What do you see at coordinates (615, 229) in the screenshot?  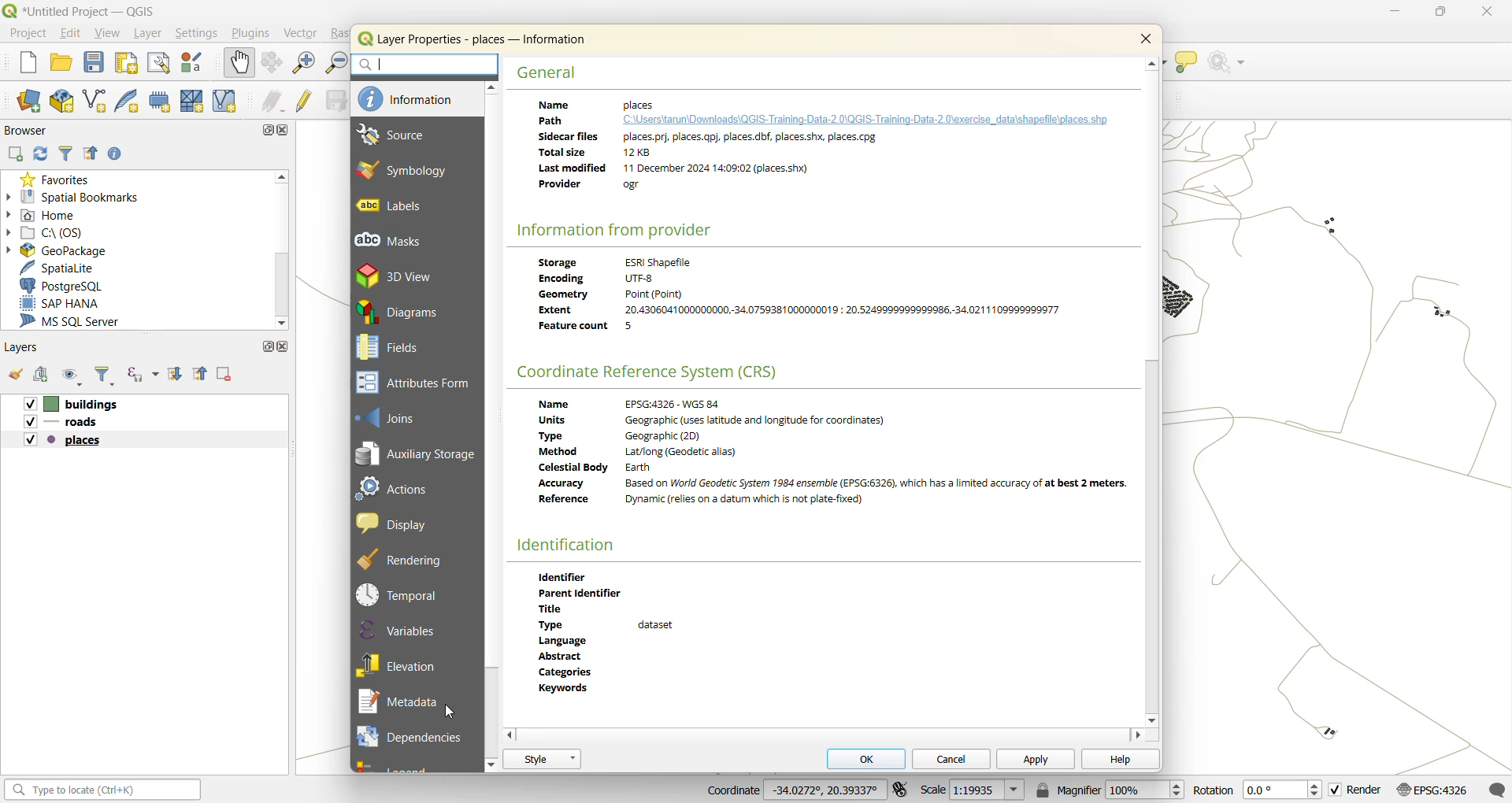 I see `information from provider` at bounding box center [615, 229].